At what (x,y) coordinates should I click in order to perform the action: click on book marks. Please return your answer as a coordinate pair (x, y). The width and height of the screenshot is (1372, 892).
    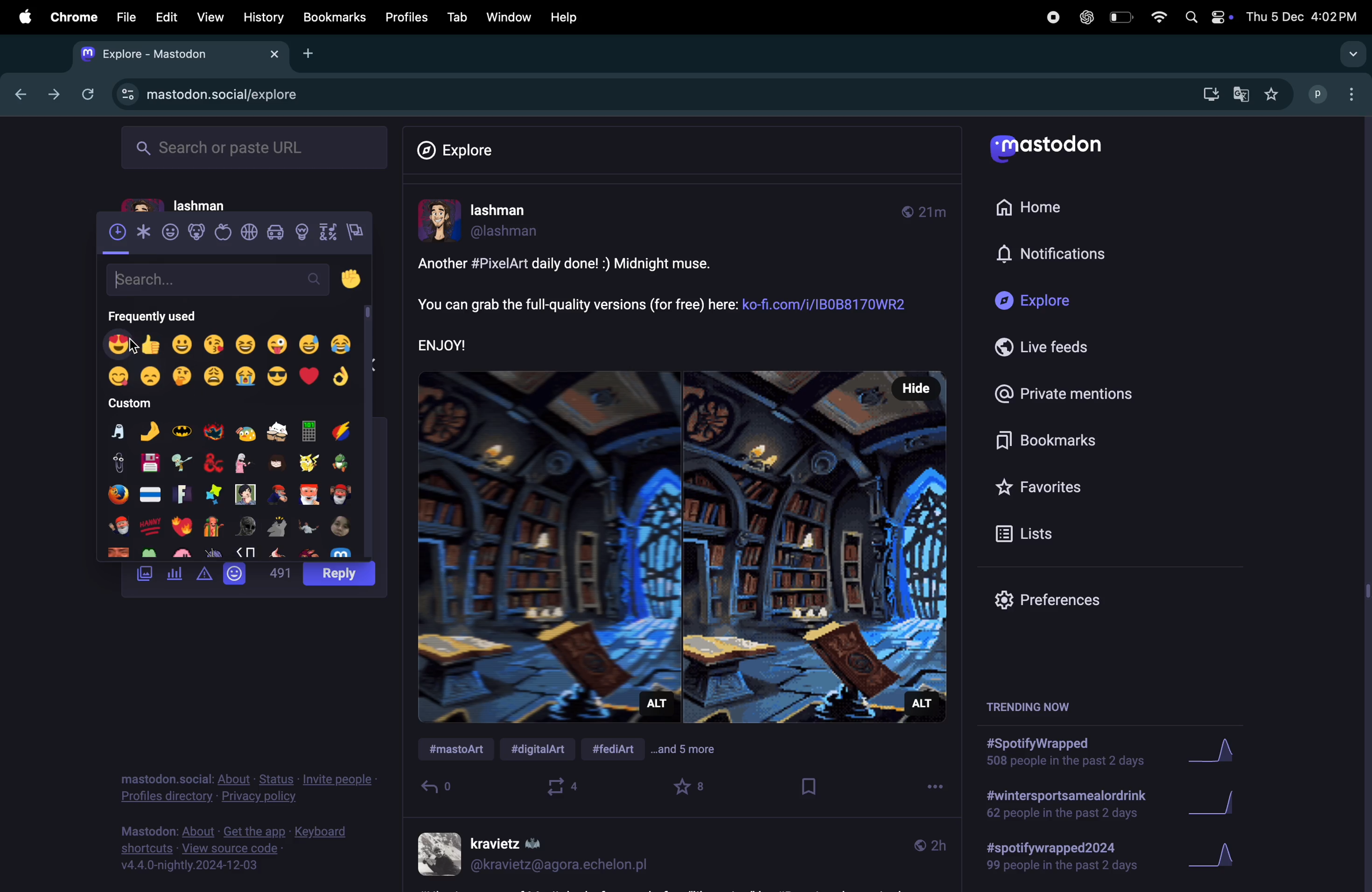
    Looking at the image, I should click on (1064, 440).